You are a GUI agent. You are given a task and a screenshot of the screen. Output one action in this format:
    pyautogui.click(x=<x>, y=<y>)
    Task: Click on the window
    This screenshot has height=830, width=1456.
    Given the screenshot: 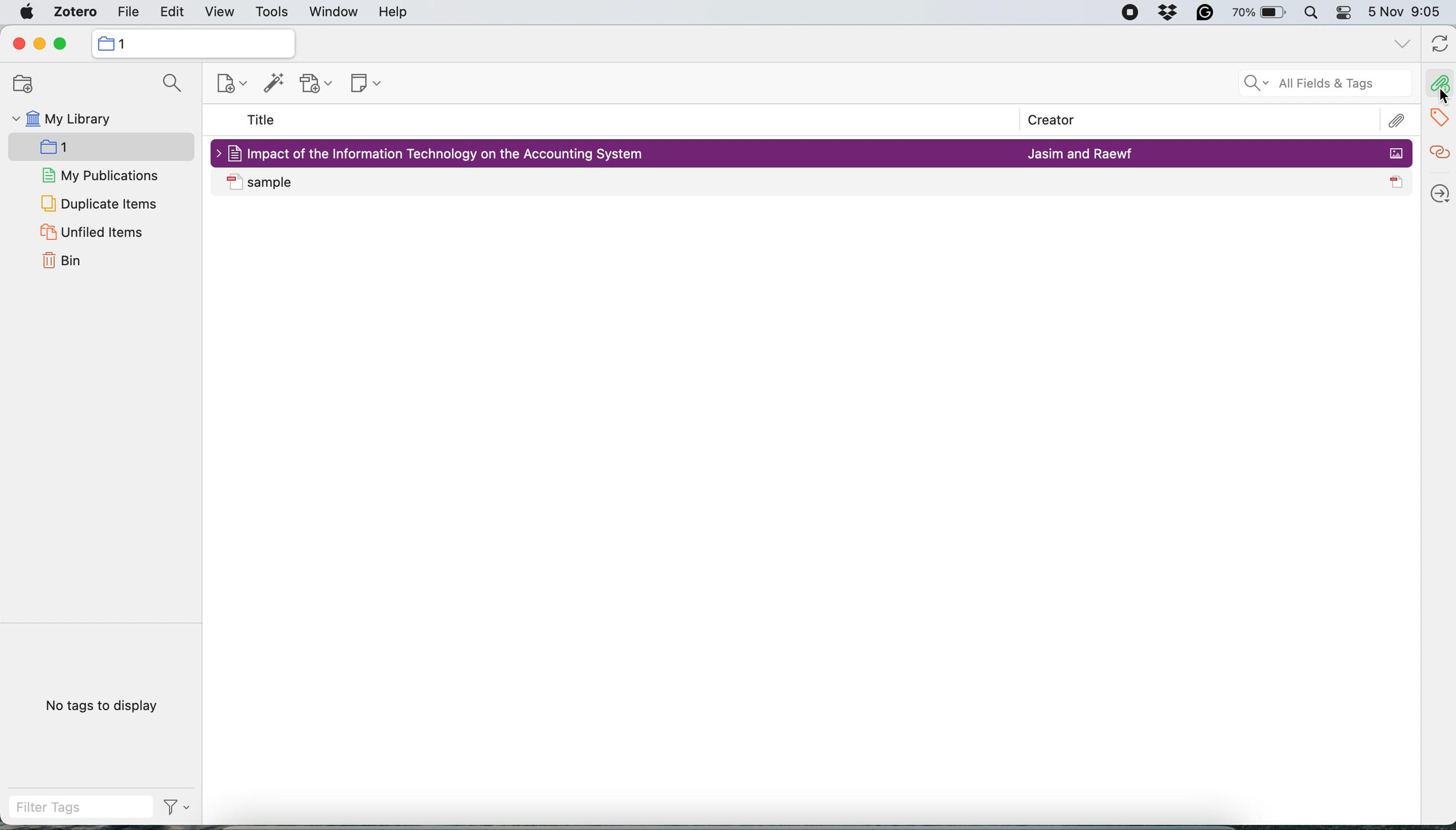 What is the action you would take?
    pyautogui.click(x=332, y=13)
    